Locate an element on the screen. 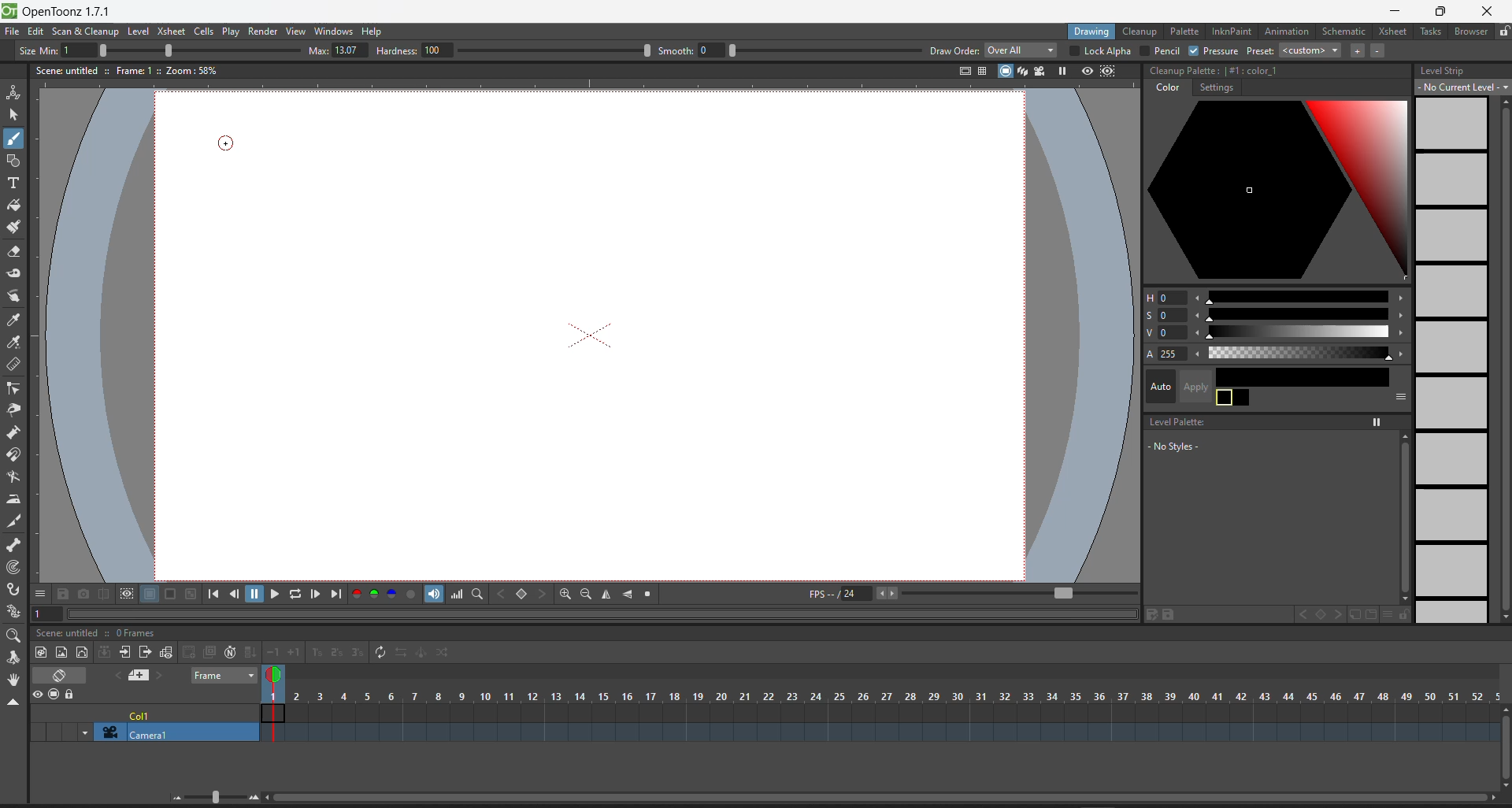 The height and width of the screenshot is (808, 1512). color is located at coordinates (1167, 87).